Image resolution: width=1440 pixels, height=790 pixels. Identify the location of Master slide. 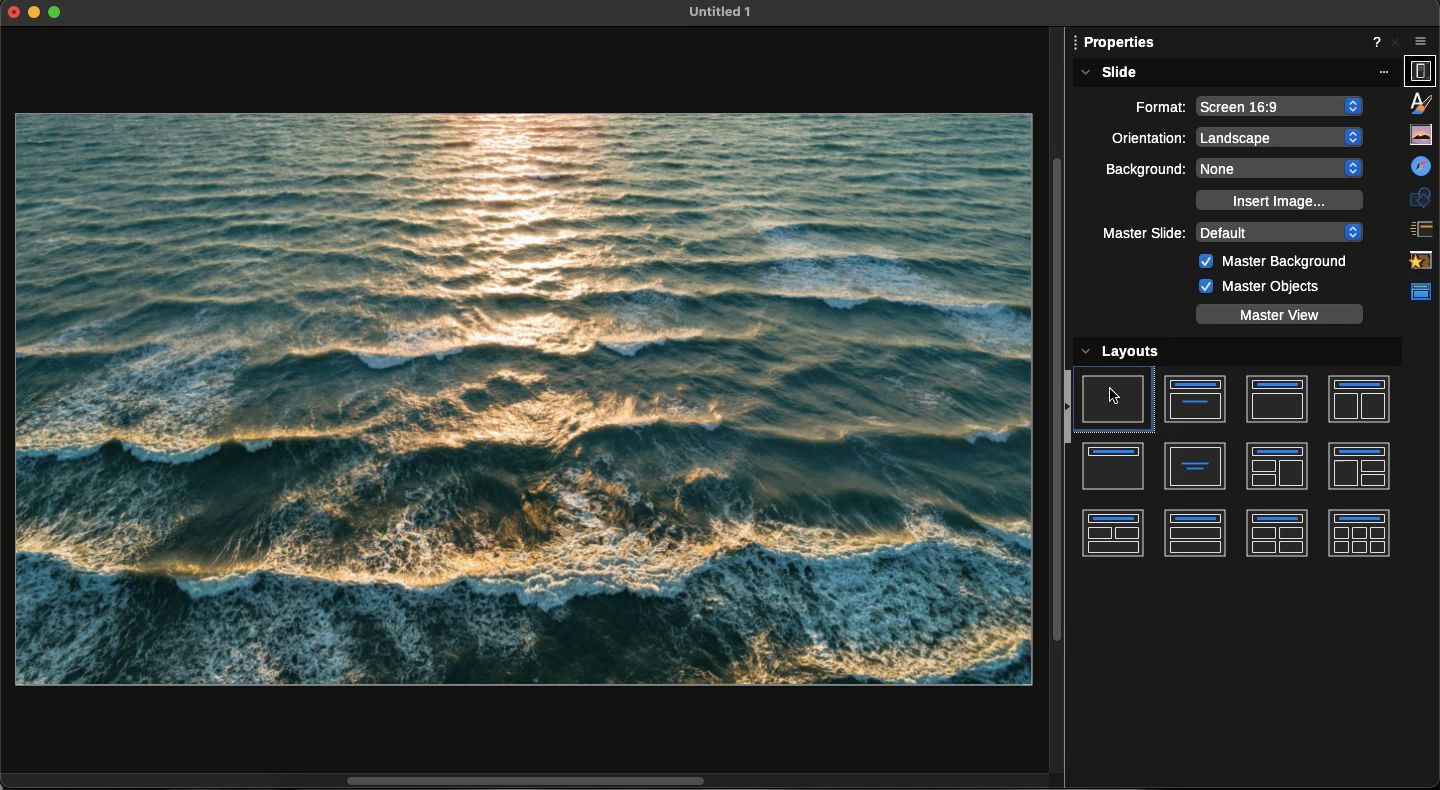
(1143, 234).